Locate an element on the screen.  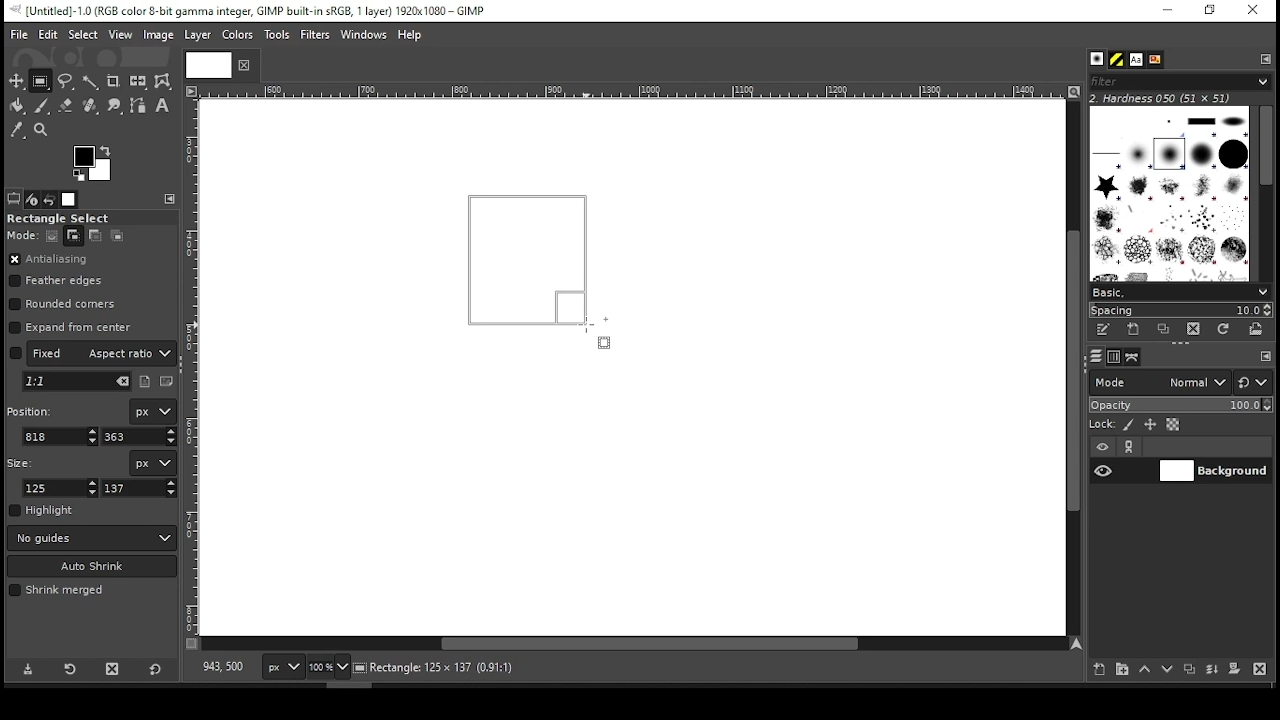
new layer is located at coordinates (1095, 667).